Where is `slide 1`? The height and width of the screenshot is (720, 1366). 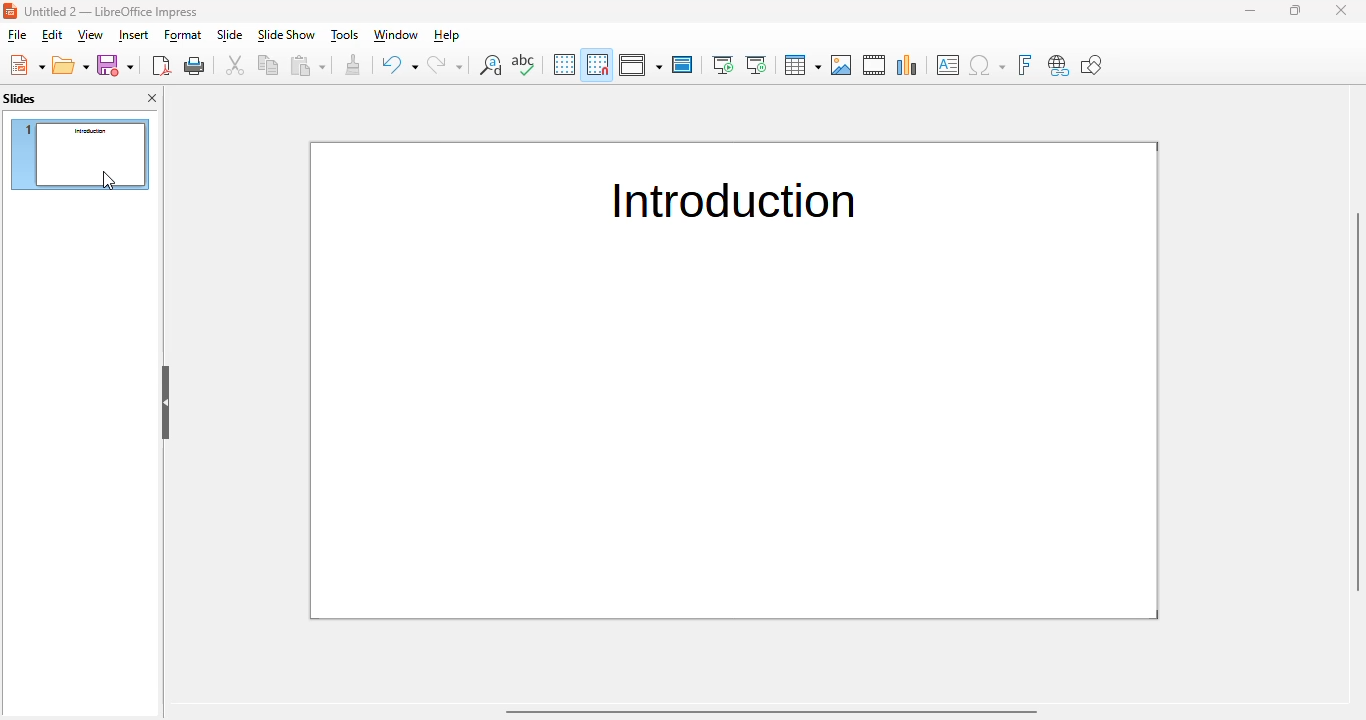 slide 1 is located at coordinates (79, 153).